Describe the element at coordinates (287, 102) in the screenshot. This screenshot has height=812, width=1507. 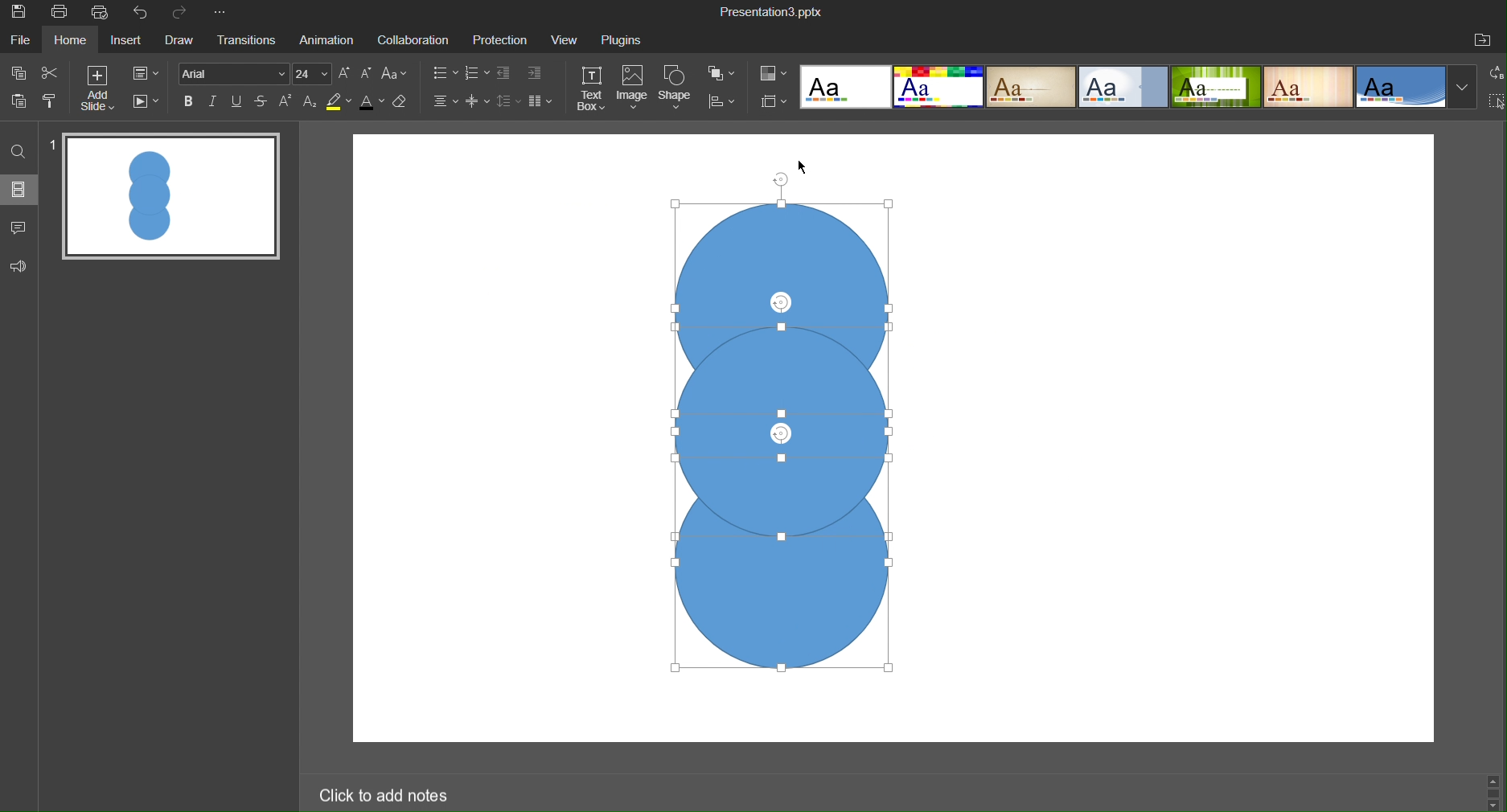
I see `Superscript` at that location.